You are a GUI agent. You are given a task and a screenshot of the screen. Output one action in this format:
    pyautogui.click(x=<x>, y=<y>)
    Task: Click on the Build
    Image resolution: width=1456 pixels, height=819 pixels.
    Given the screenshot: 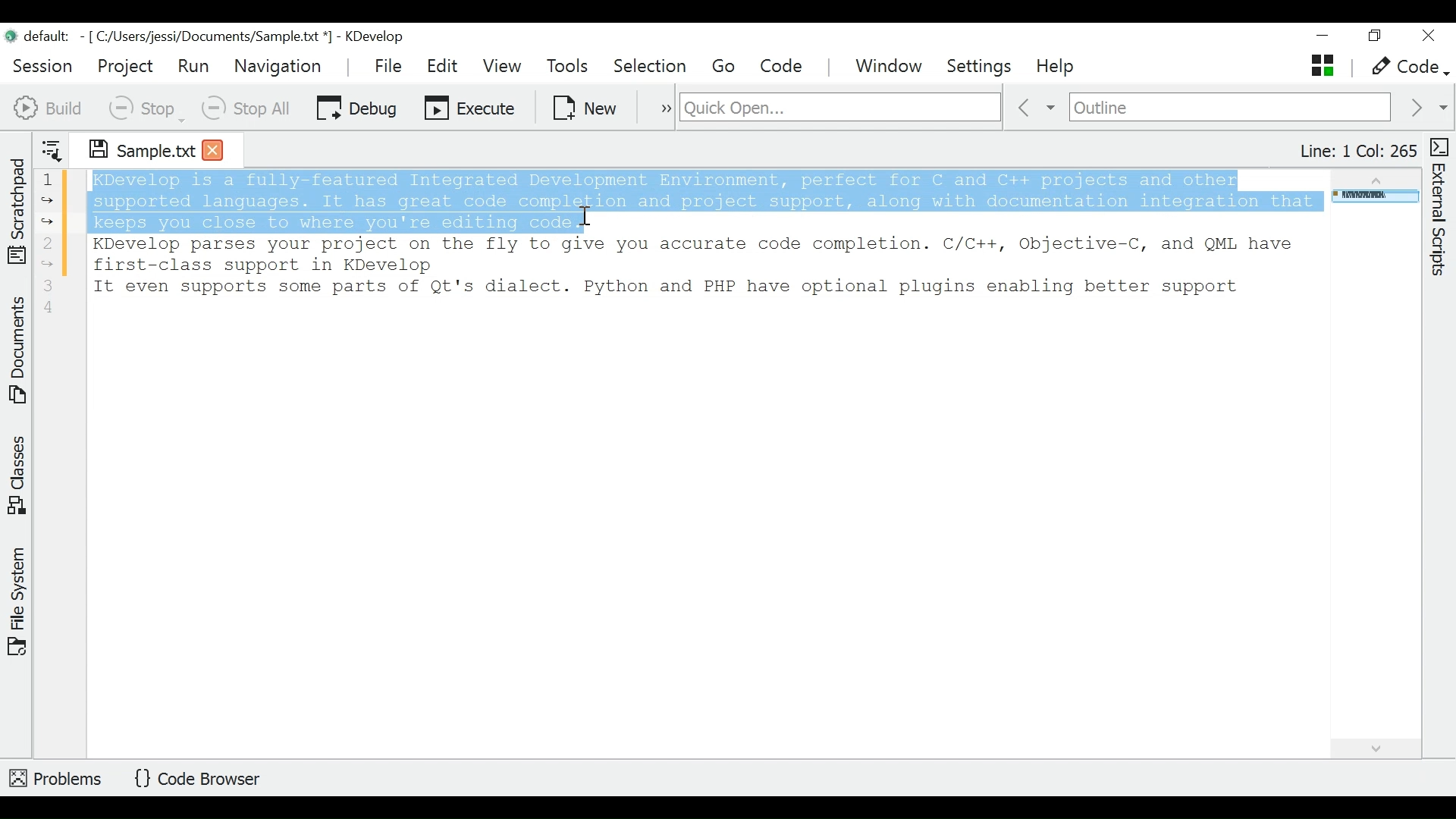 What is the action you would take?
    pyautogui.click(x=49, y=106)
    